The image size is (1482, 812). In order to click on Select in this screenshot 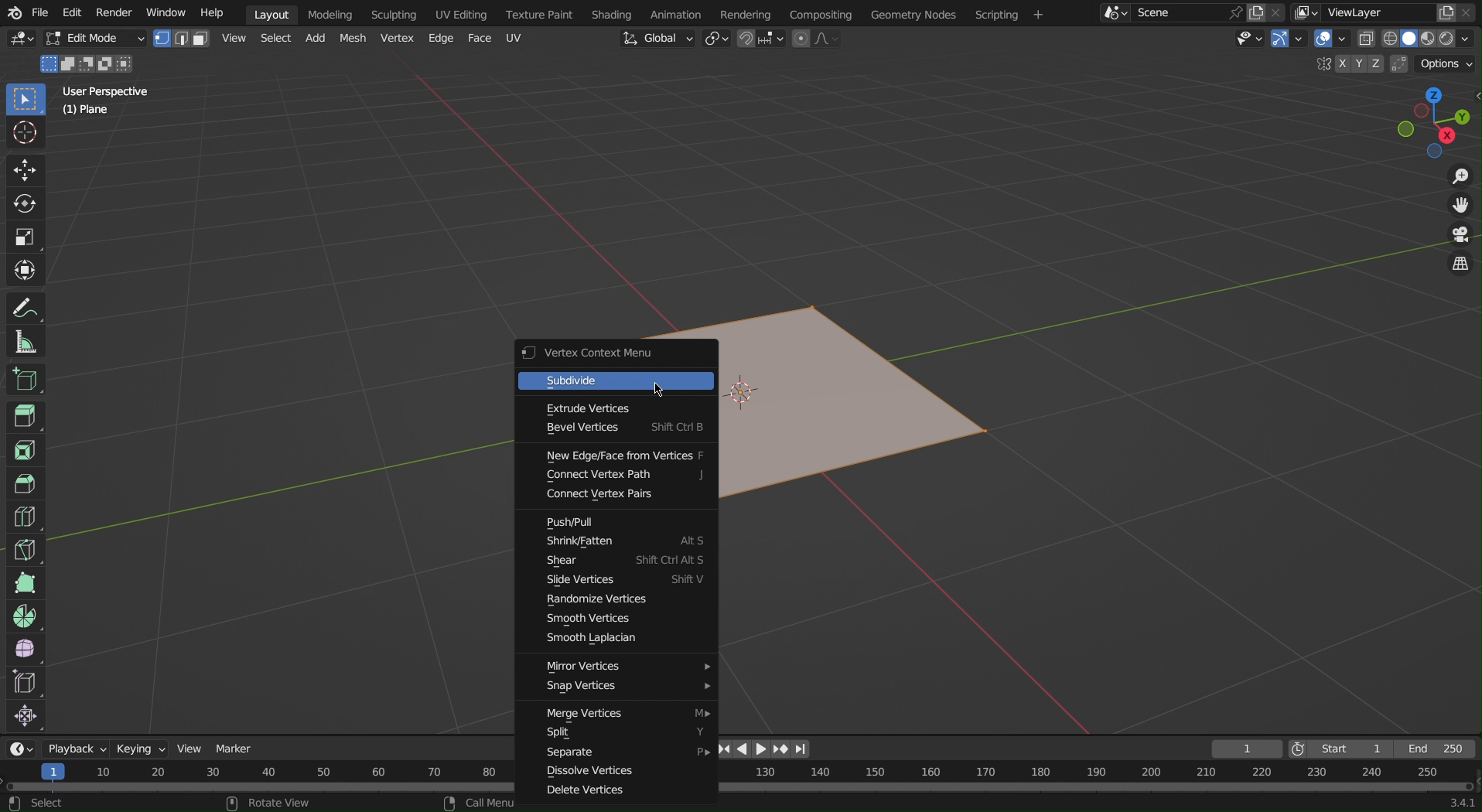, I will do `click(38, 804)`.